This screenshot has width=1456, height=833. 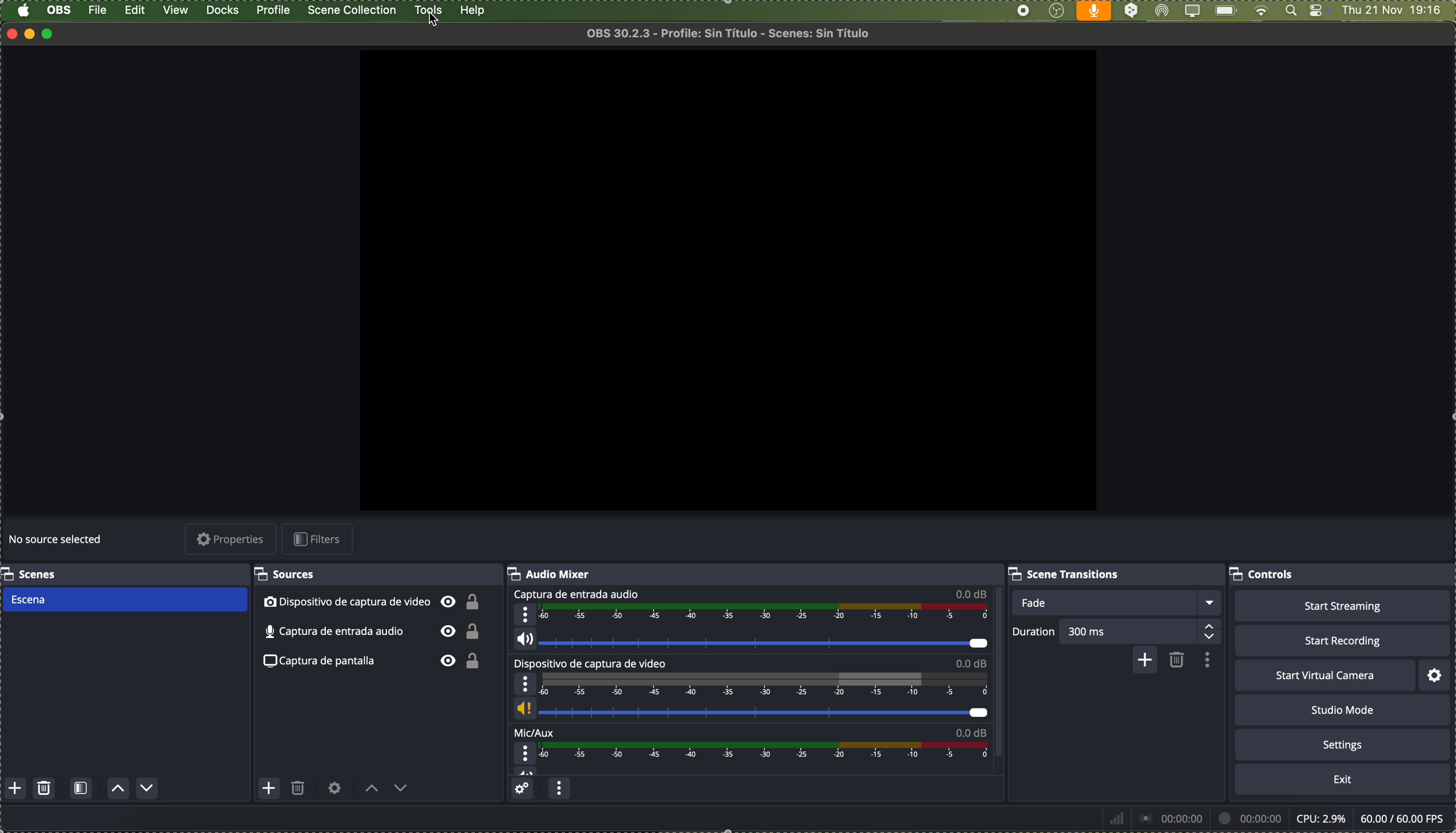 I want to click on open scene filters, so click(x=81, y=790).